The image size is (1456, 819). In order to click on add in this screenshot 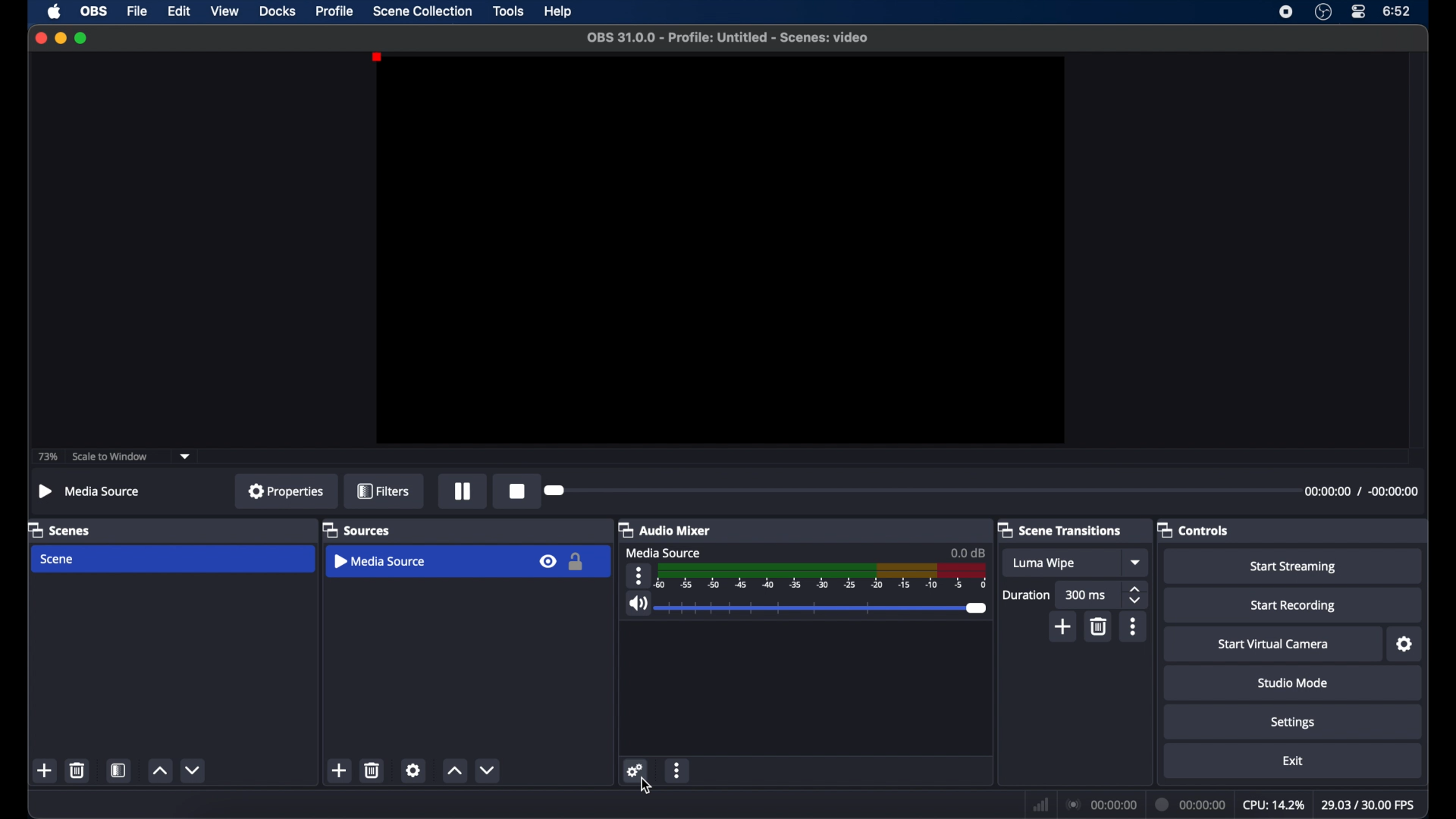, I will do `click(1062, 626)`.